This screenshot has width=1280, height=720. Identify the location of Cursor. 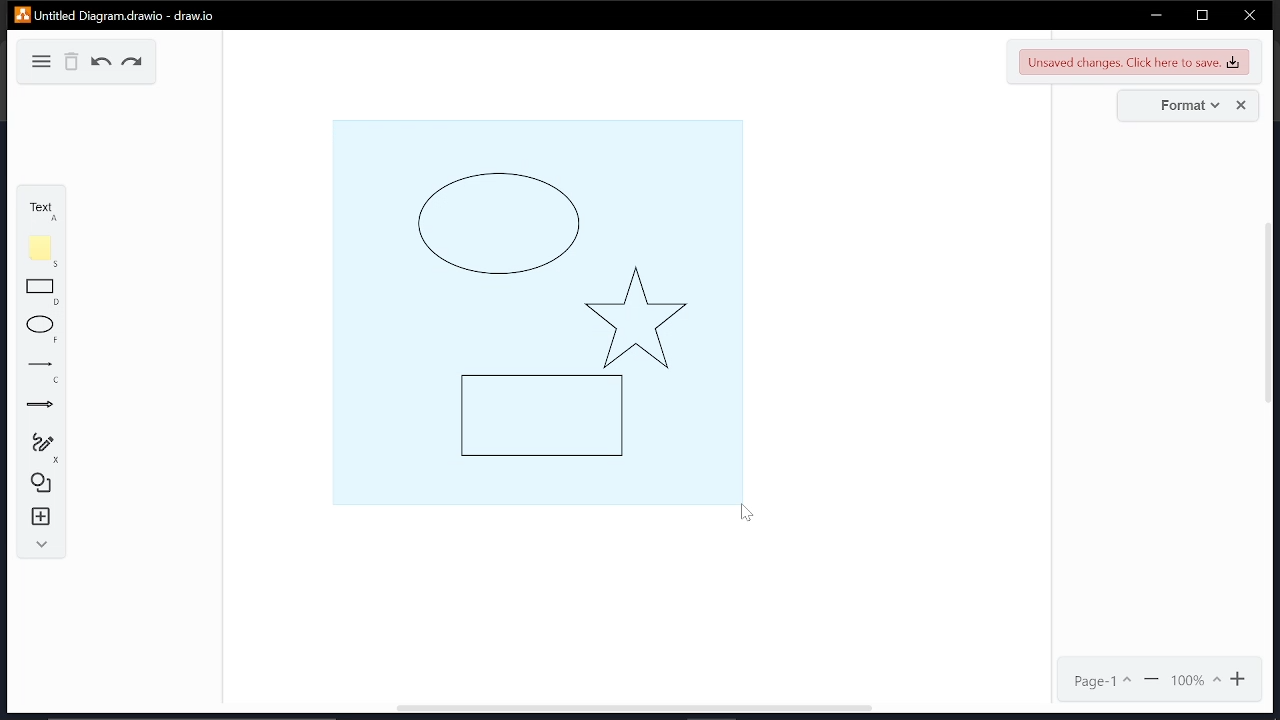
(746, 516).